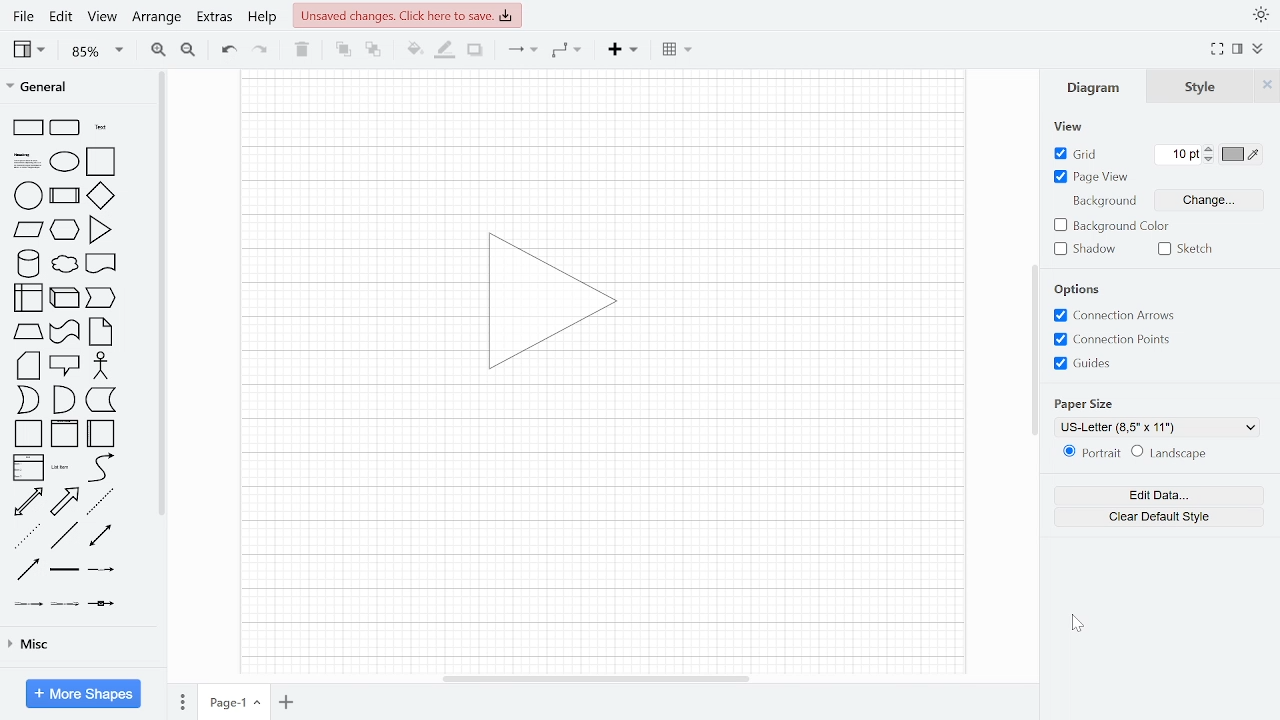 The height and width of the screenshot is (720, 1280). What do you see at coordinates (373, 49) in the screenshot?
I see `To back` at bounding box center [373, 49].